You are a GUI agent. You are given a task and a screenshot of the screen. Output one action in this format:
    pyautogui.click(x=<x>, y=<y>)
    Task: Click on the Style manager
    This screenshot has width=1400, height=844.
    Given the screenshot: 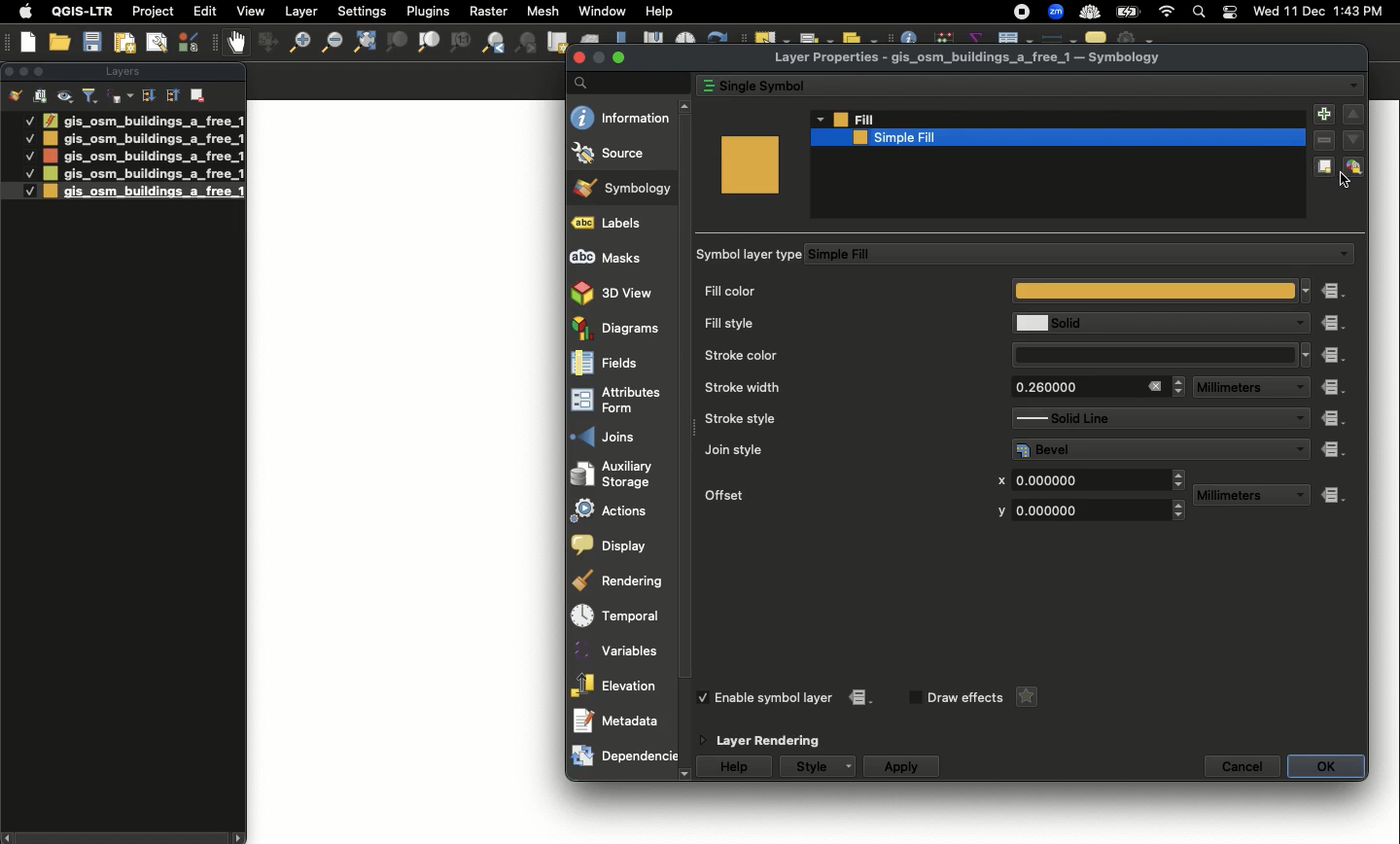 What is the action you would take?
    pyautogui.click(x=265, y=43)
    